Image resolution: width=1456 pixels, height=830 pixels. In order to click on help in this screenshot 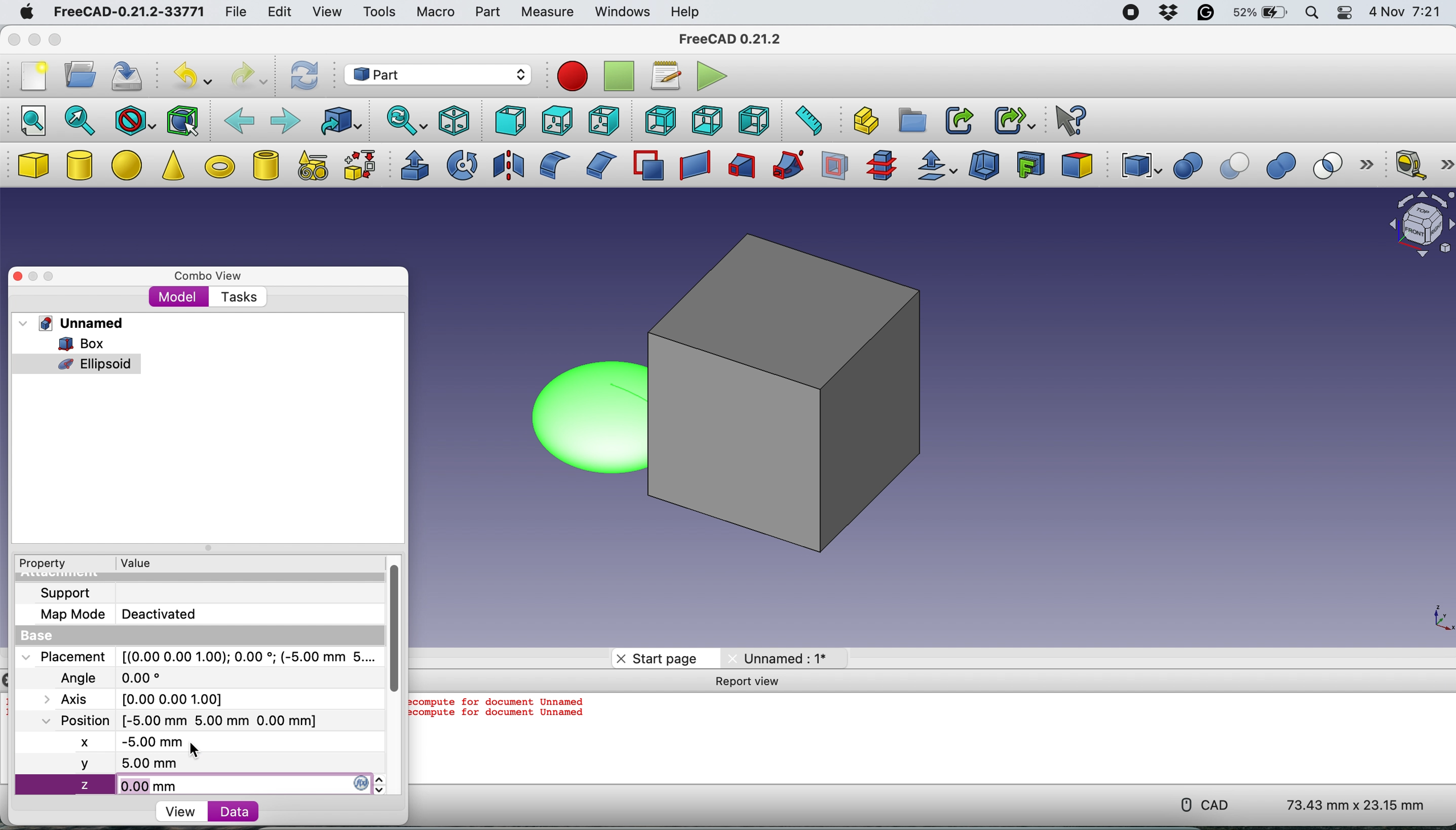, I will do `click(683, 11)`.